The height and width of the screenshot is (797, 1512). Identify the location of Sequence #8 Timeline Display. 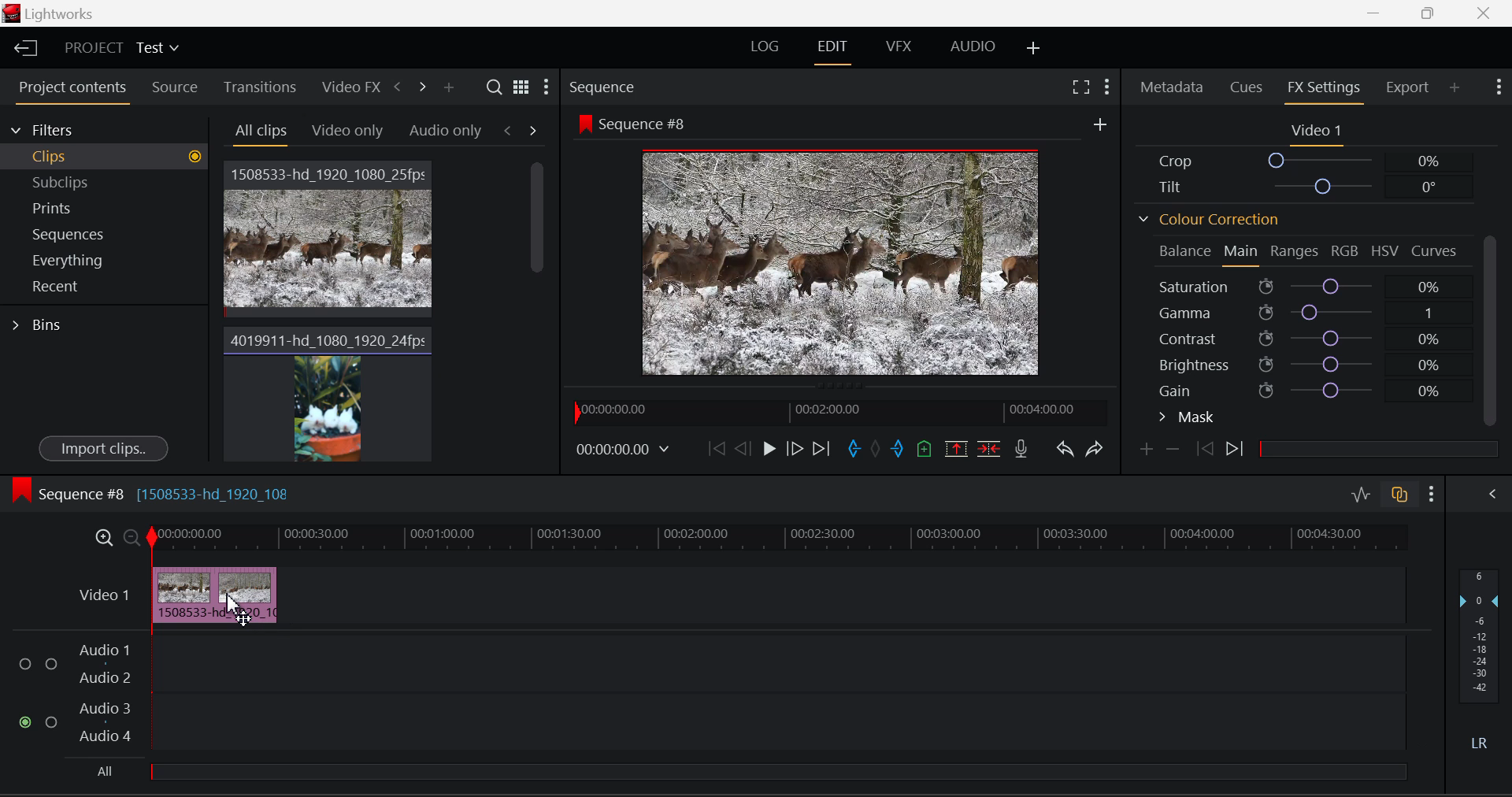
(65, 495).